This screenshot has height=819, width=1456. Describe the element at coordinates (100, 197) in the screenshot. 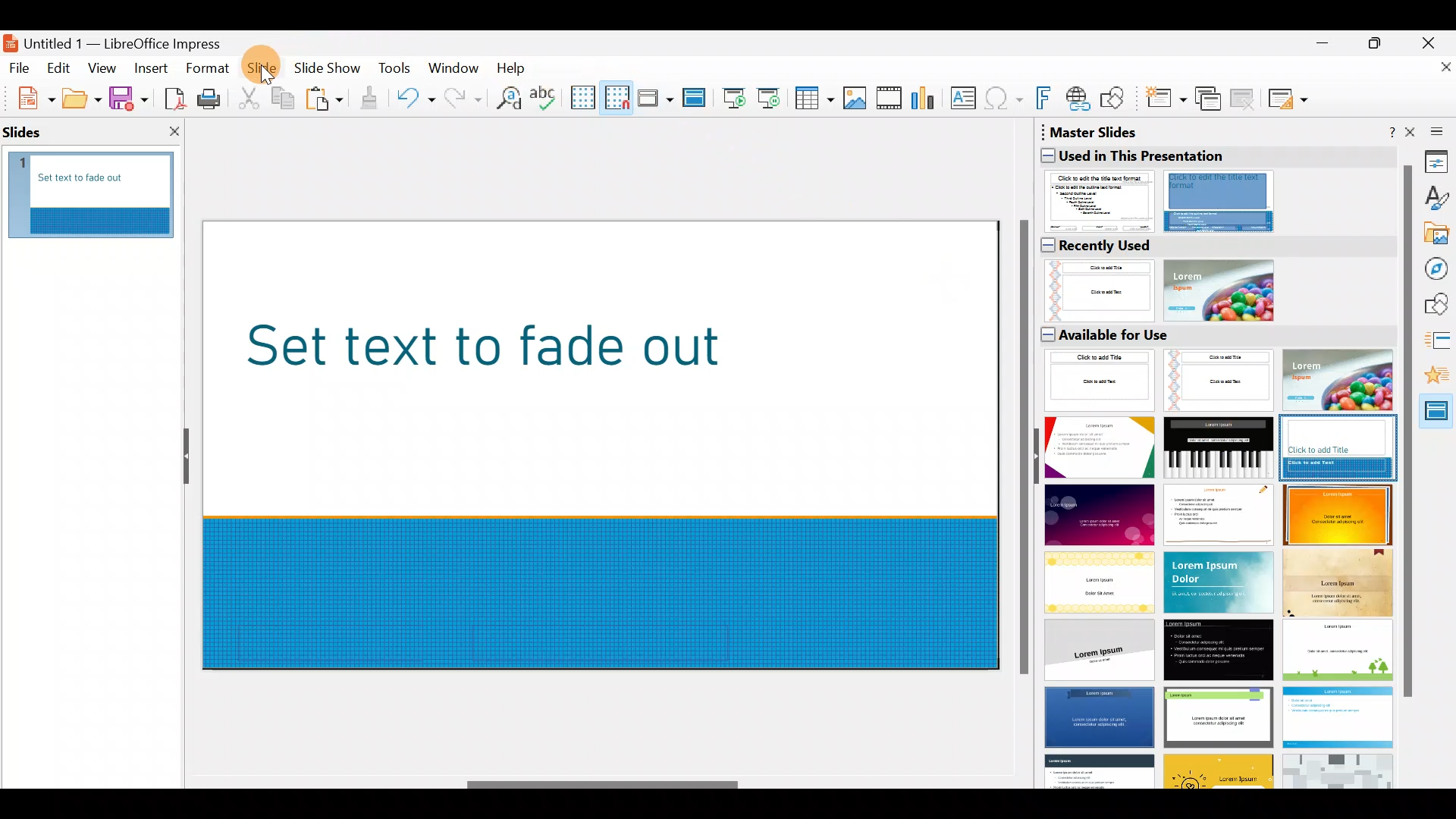

I see `Slide pane` at that location.